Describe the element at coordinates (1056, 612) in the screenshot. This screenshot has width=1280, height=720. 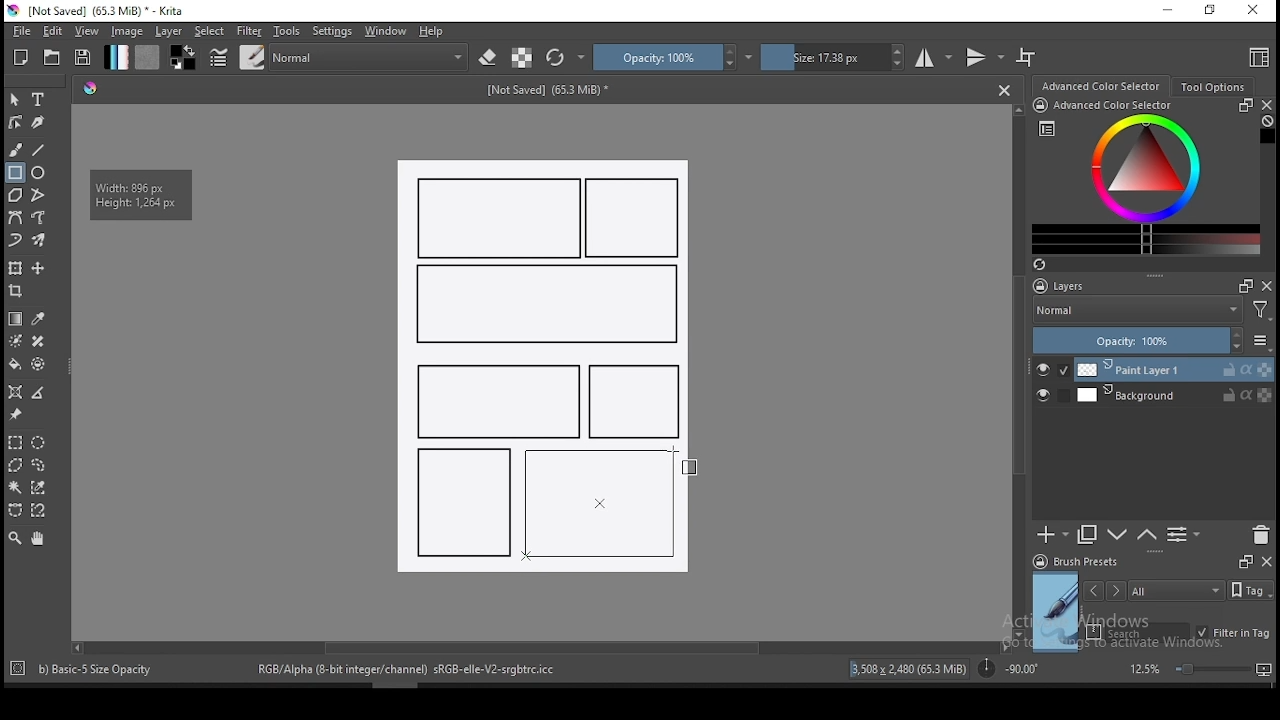
I see `preview` at that location.